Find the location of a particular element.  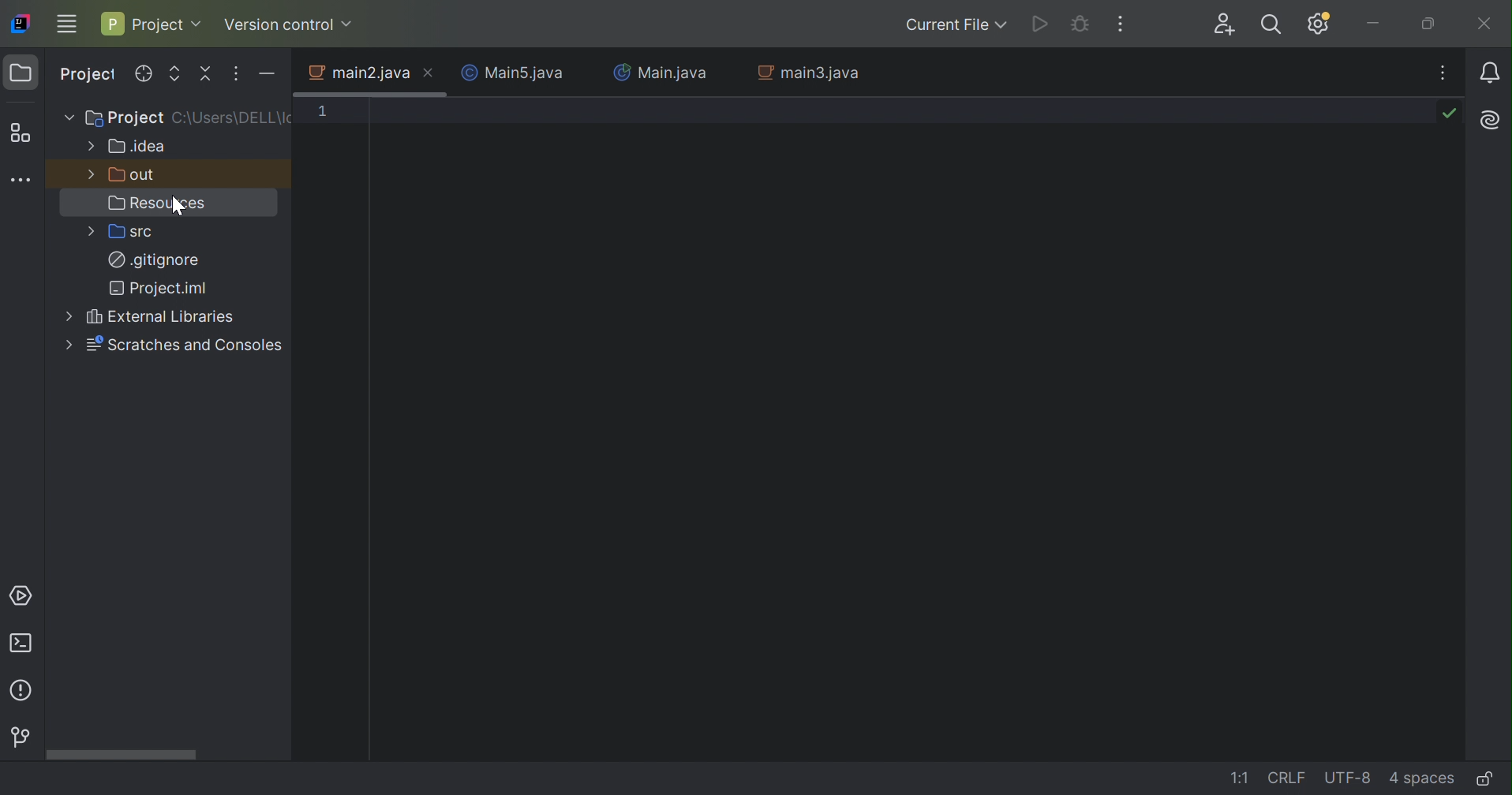

AI Assistant is located at coordinates (1489, 121).